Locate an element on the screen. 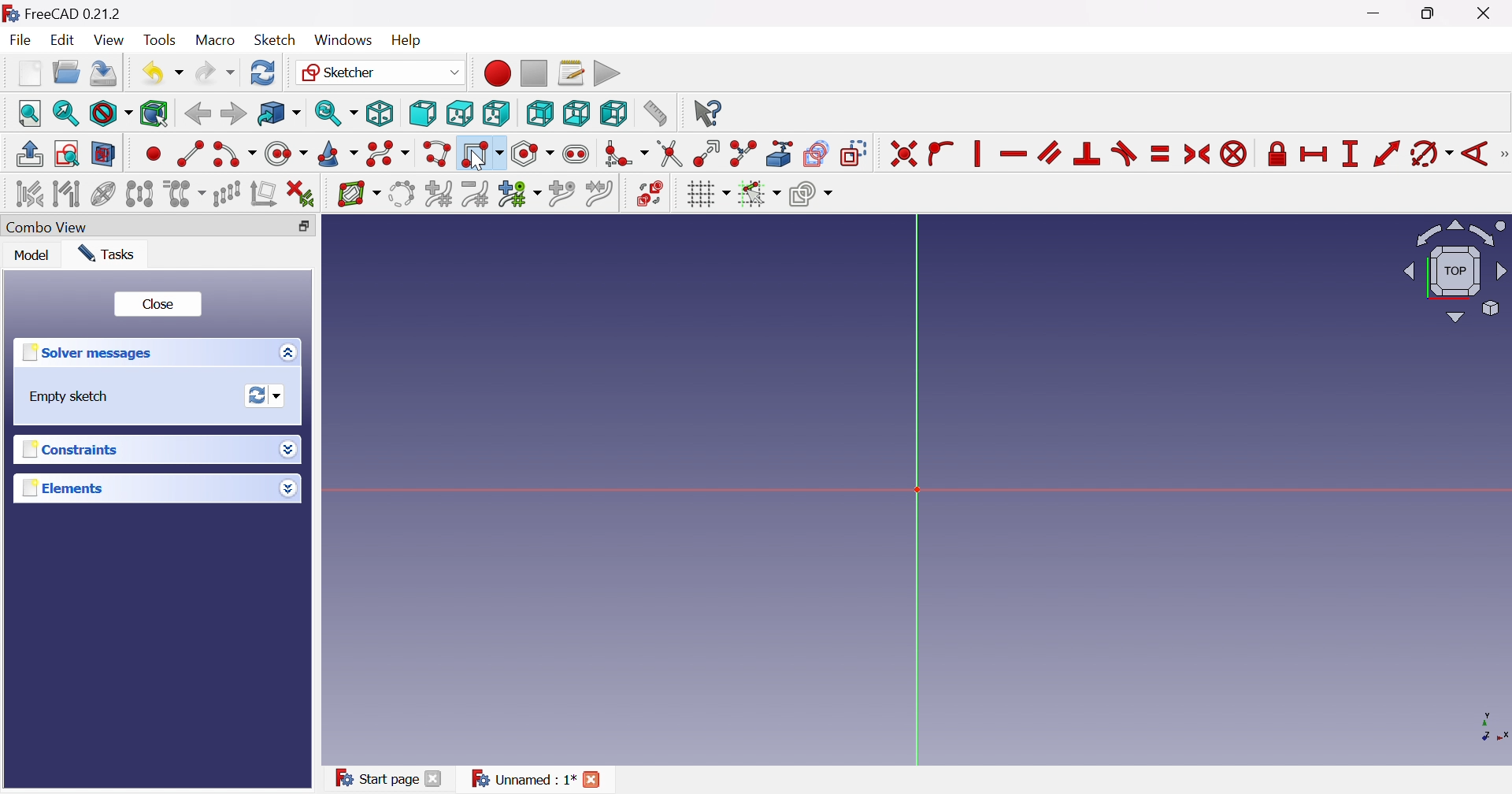  Bottom is located at coordinates (576, 113).